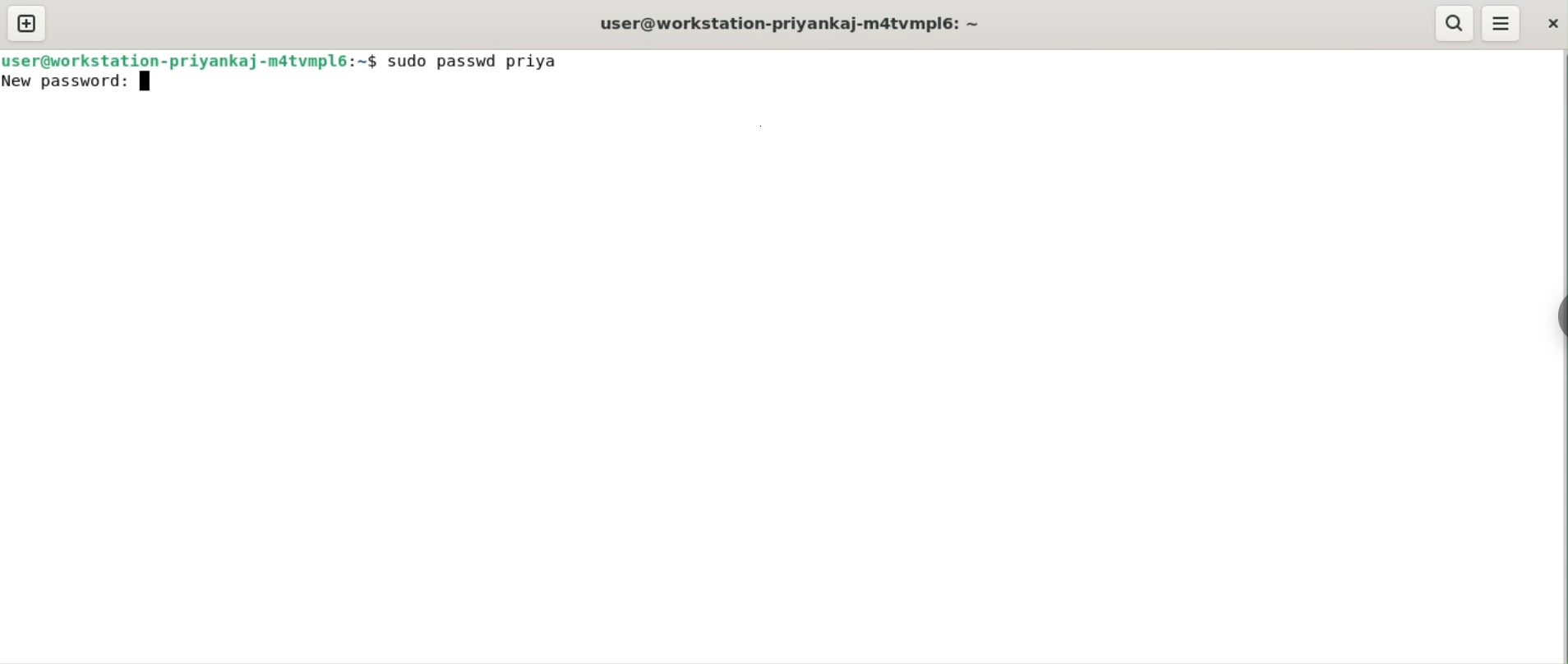  What do you see at coordinates (1502, 23) in the screenshot?
I see `menu` at bounding box center [1502, 23].